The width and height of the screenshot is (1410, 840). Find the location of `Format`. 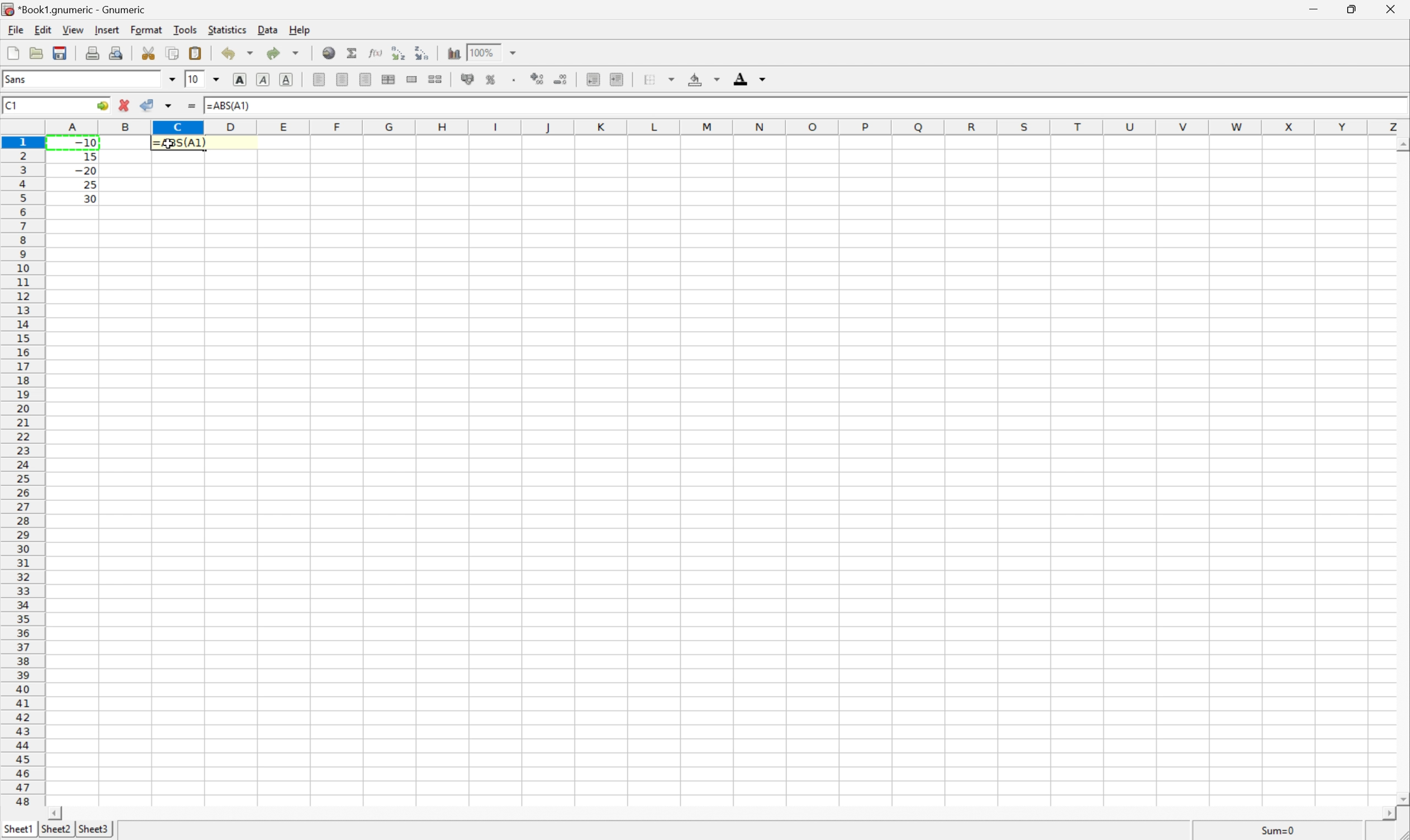

Format is located at coordinates (148, 28).